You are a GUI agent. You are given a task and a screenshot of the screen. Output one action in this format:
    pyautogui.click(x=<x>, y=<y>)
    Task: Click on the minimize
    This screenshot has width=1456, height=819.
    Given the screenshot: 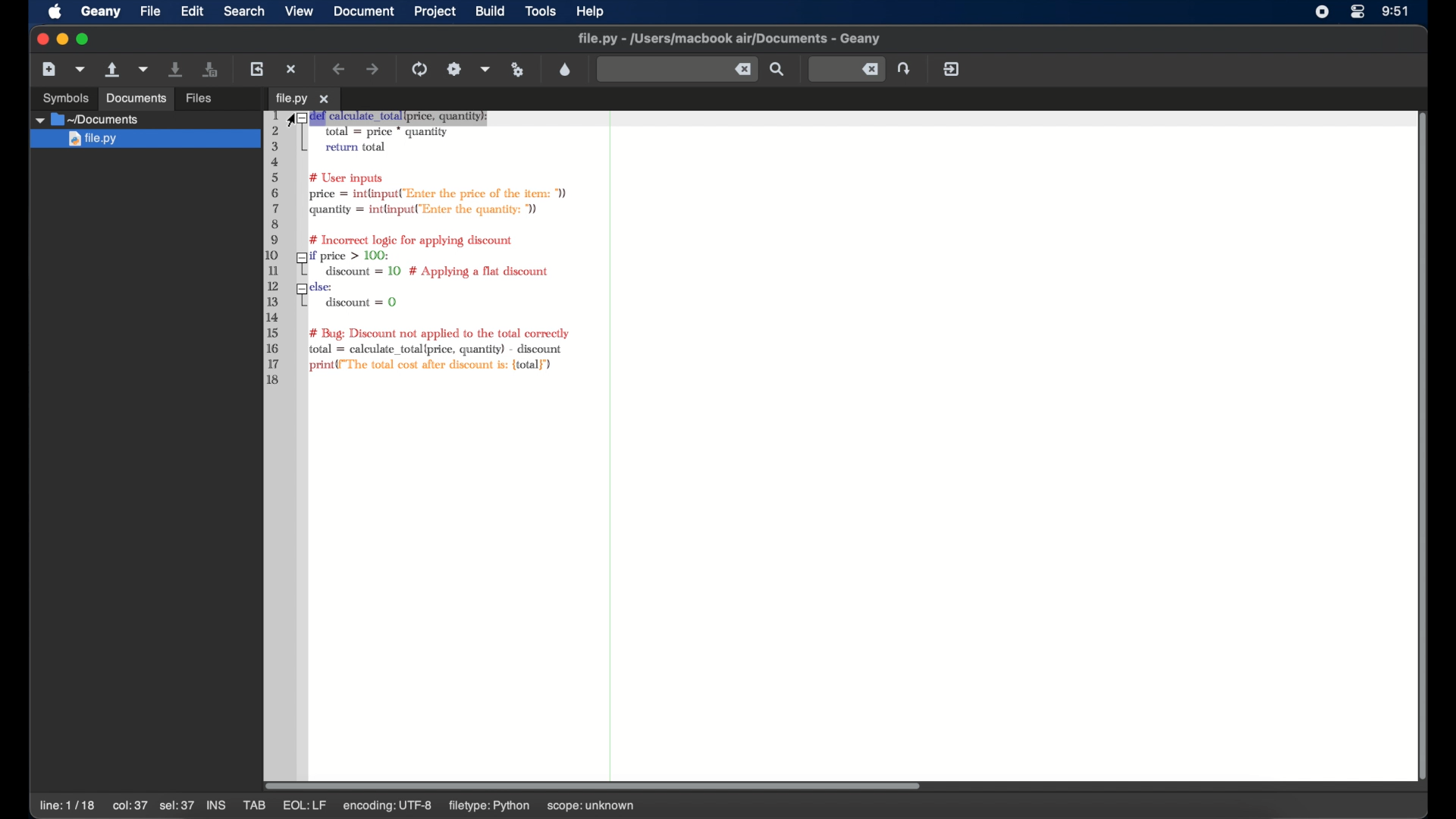 What is the action you would take?
    pyautogui.click(x=63, y=39)
    